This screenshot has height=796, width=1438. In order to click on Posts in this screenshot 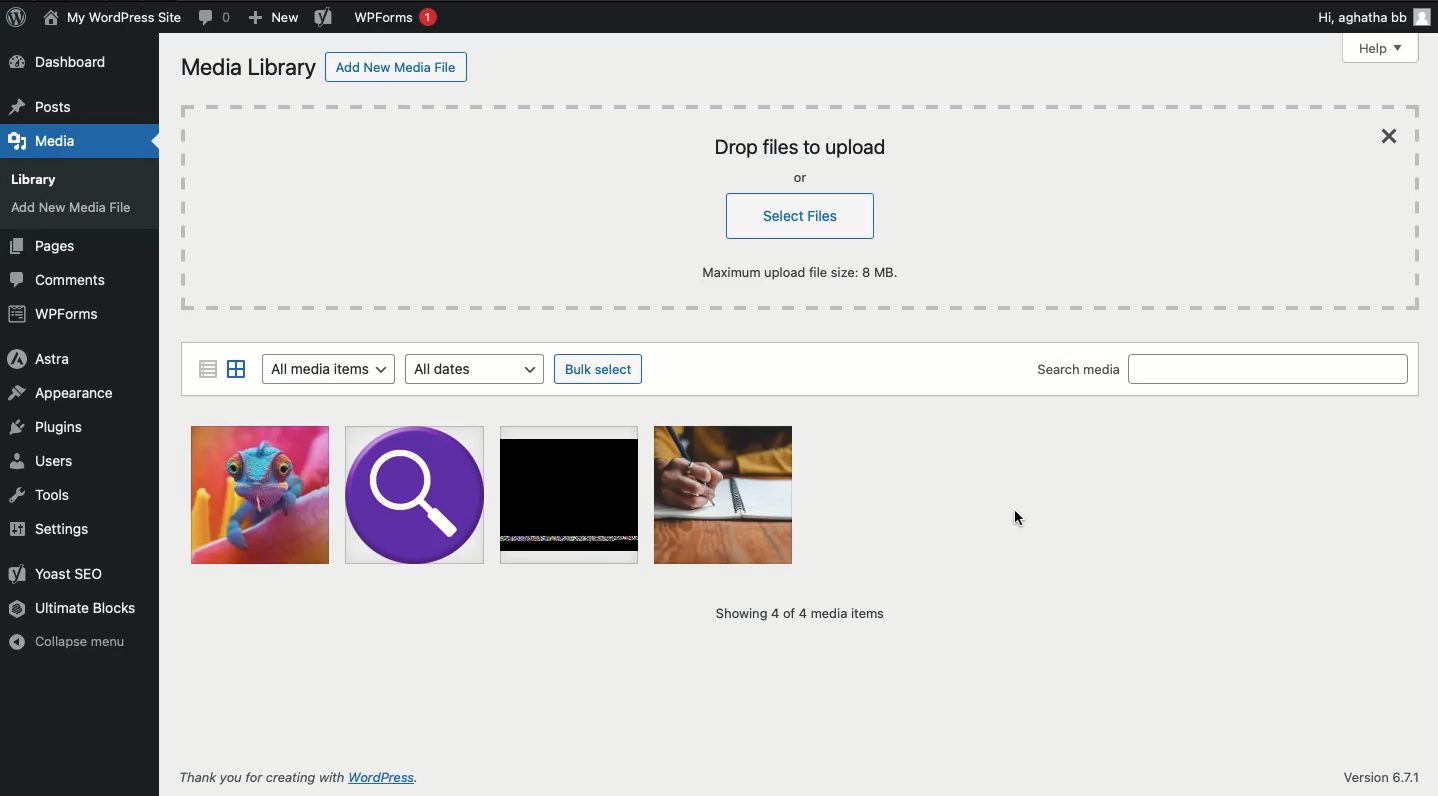, I will do `click(47, 102)`.